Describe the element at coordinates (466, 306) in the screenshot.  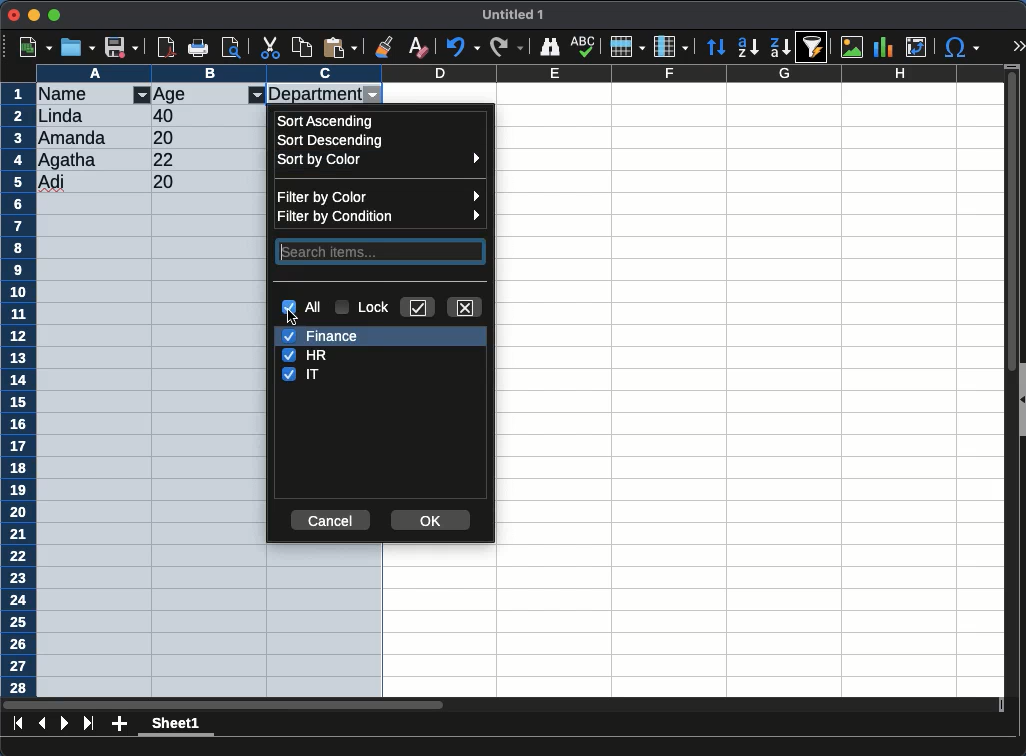
I see `close` at that location.